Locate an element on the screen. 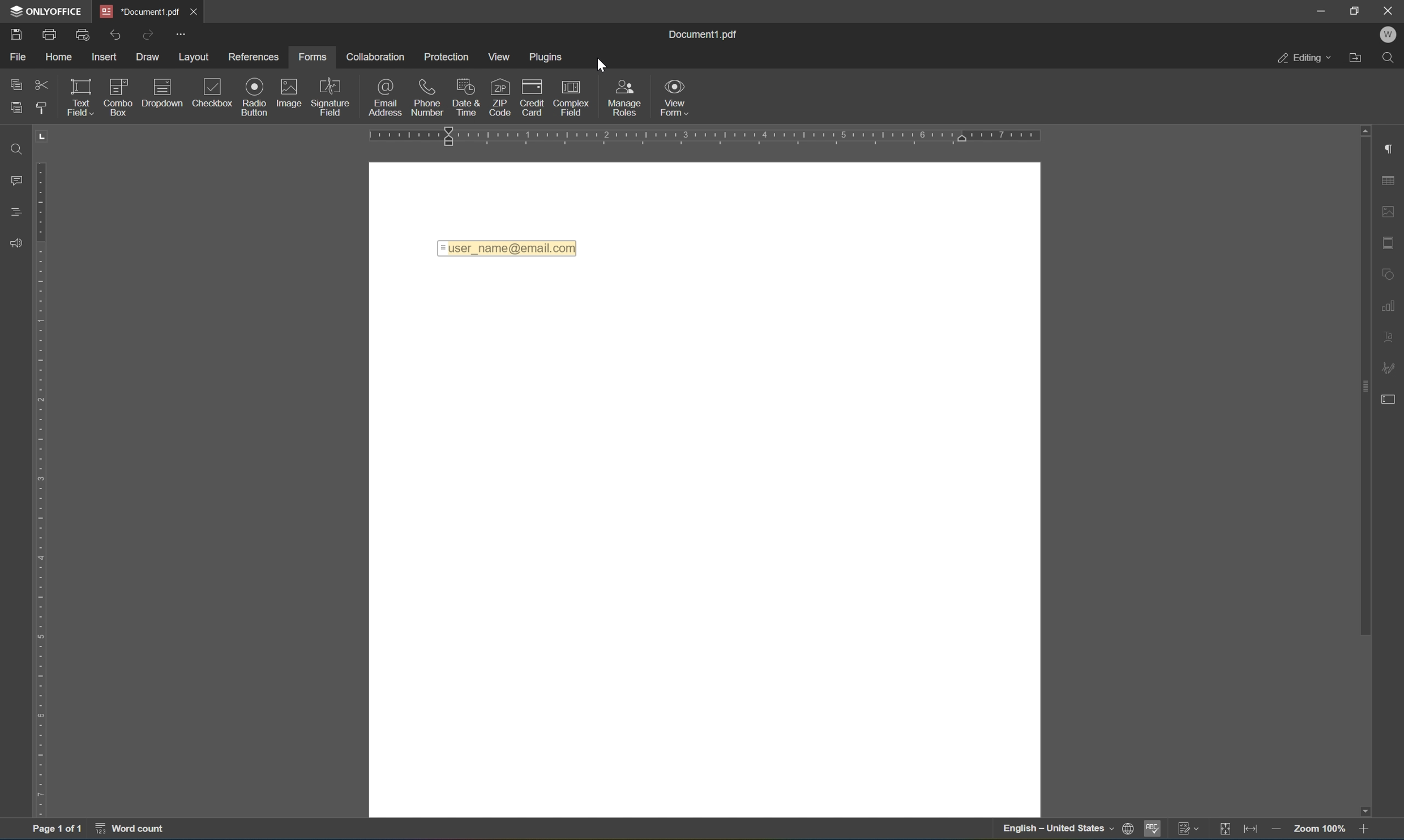 Image resolution: width=1404 pixels, height=840 pixels. draw is located at coordinates (150, 58).